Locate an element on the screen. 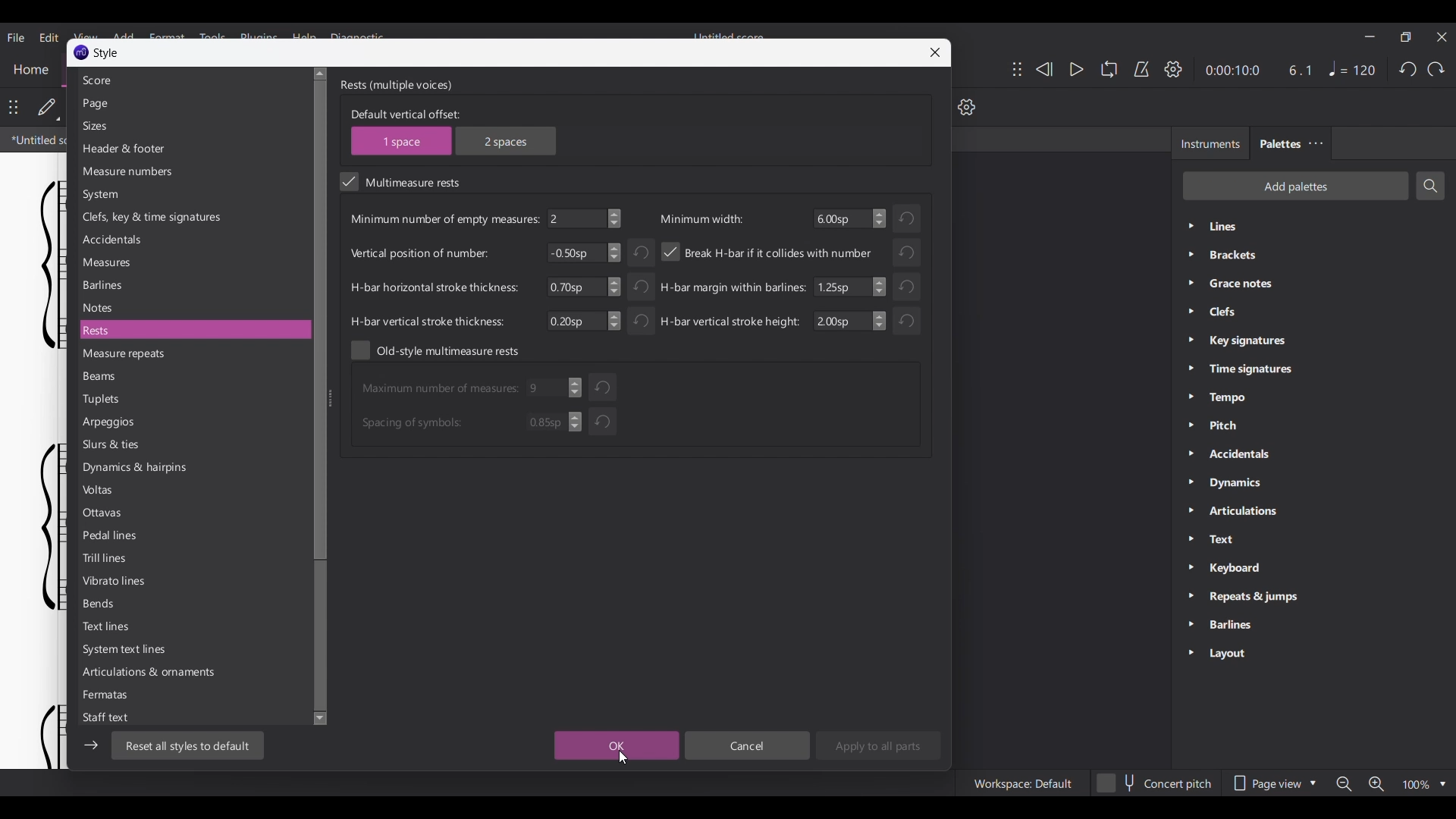  Input max. number of Spacing of symbols is located at coordinates (462, 422).